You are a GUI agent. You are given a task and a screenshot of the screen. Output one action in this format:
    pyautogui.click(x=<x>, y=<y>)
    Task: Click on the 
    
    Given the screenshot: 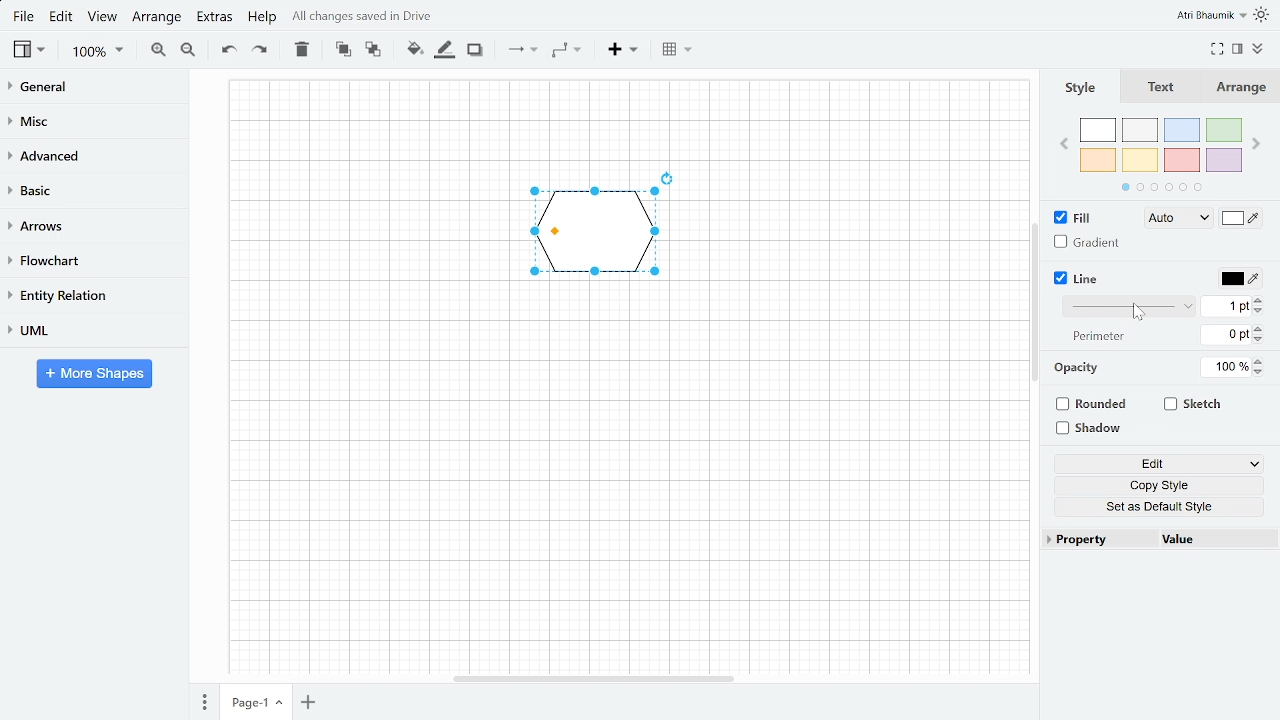 What is the action you would take?
    pyautogui.click(x=1034, y=302)
    